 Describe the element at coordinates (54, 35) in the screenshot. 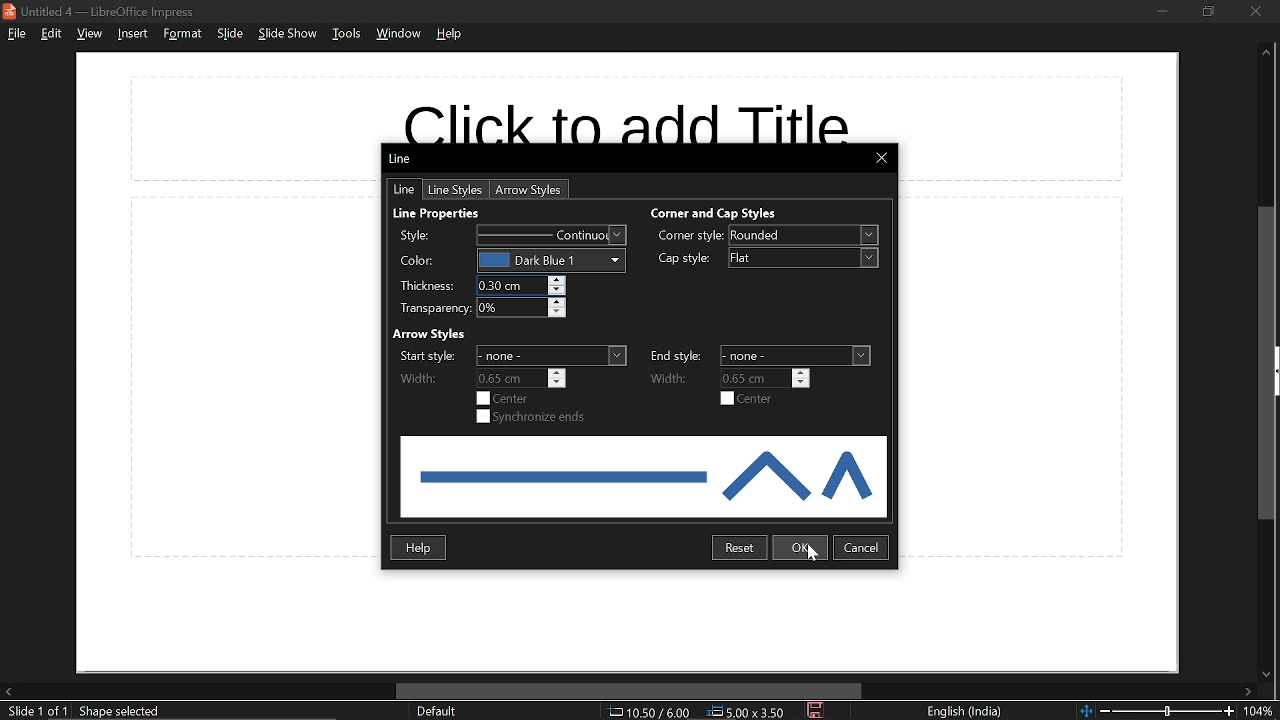

I see `edit` at that location.